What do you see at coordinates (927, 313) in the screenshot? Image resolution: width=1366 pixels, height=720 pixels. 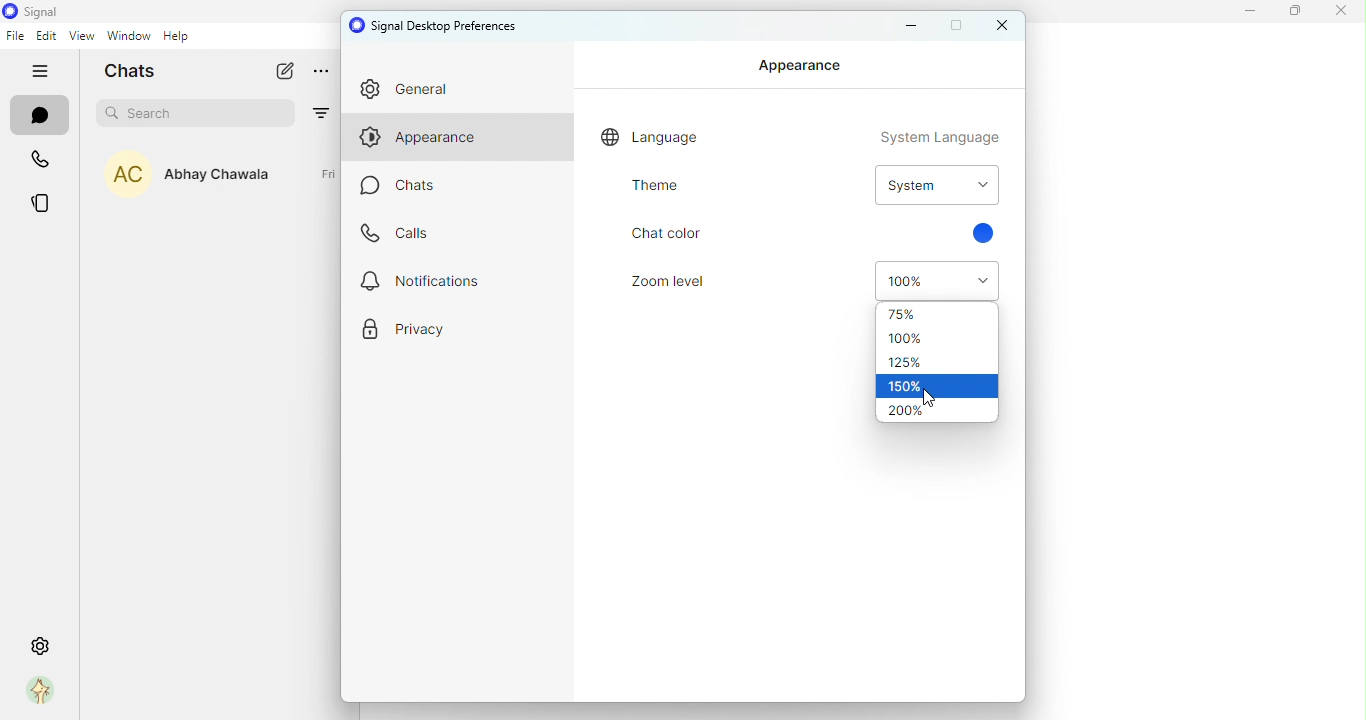 I see `75%` at bounding box center [927, 313].